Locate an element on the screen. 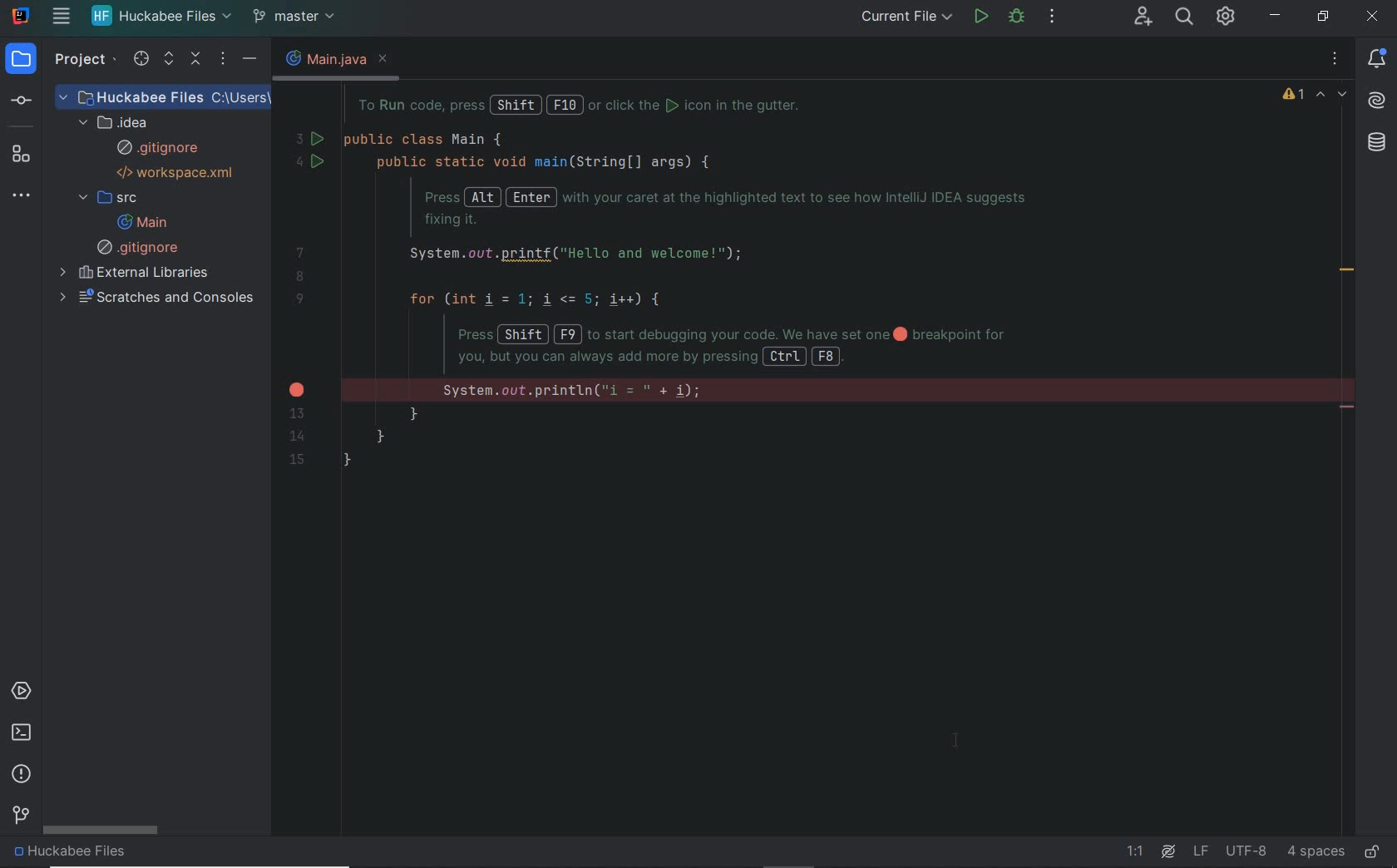 The width and height of the screenshot is (1397, 868). scratches and consoles is located at coordinates (159, 298).